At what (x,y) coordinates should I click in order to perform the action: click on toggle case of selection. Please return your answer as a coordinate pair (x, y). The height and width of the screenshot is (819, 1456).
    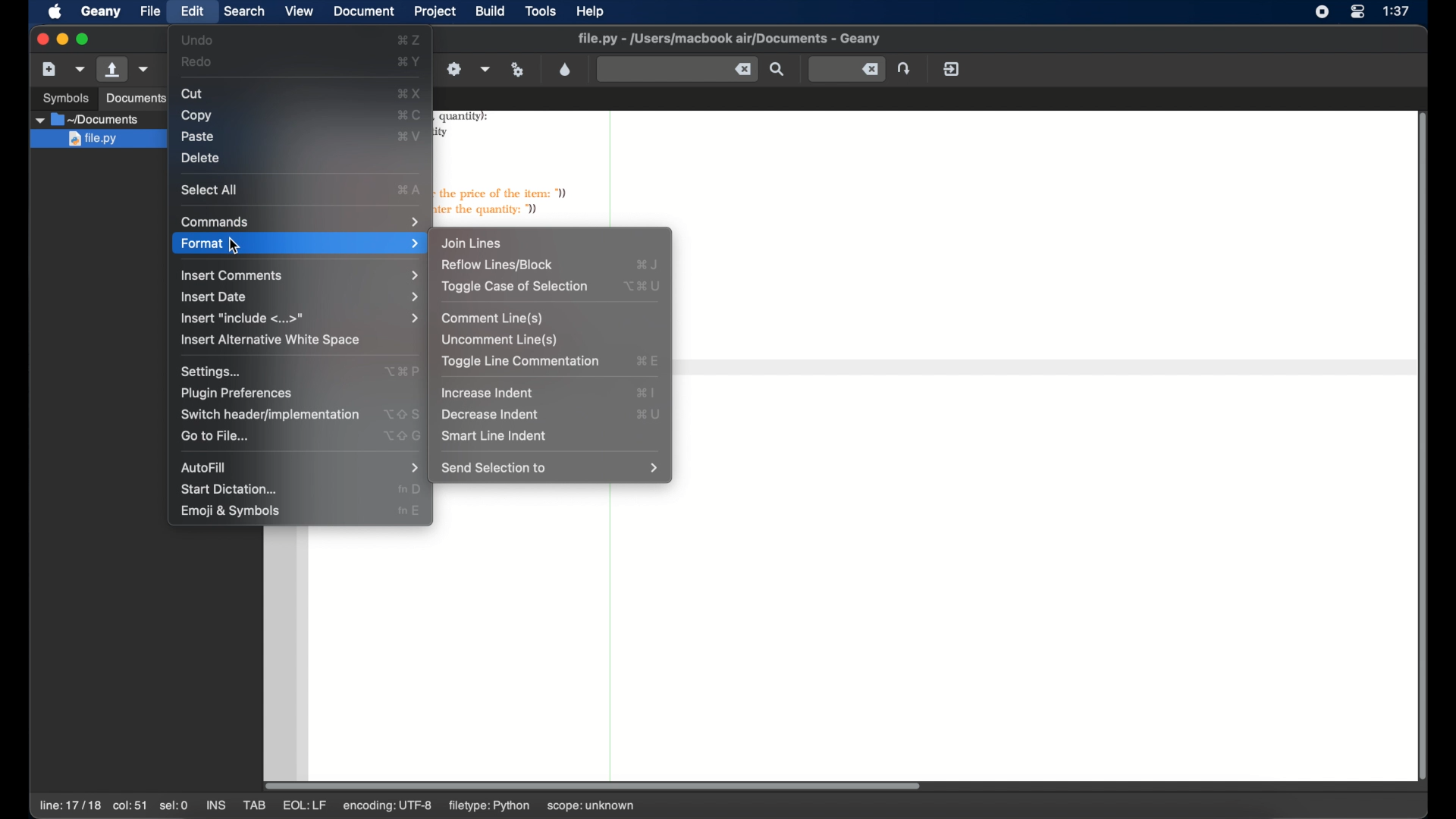
    Looking at the image, I should click on (514, 287).